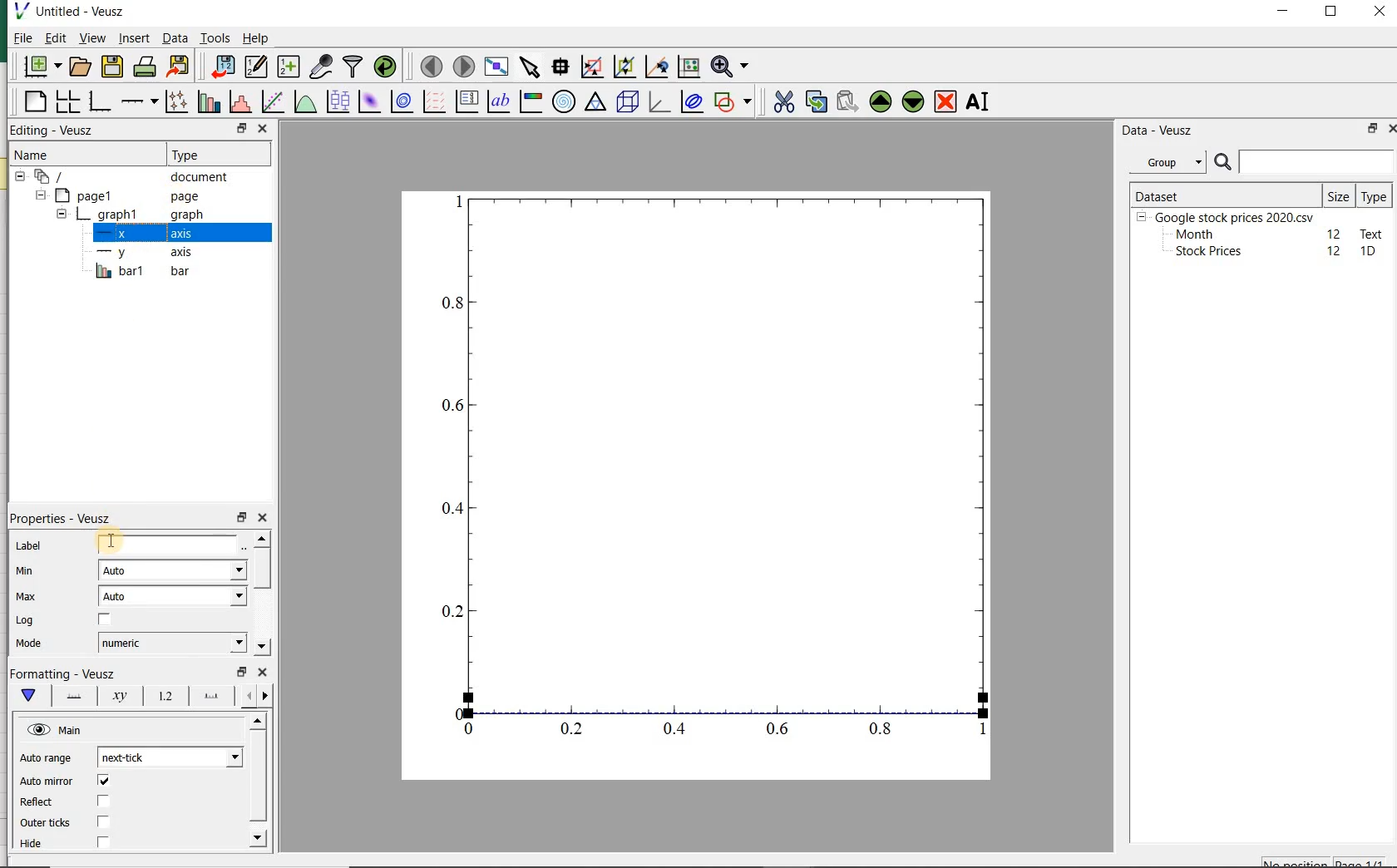 This screenshot has width=1397, height=868. Describe the element at coordinates (498, 103) in the screenshot. I see `text label` at that location.